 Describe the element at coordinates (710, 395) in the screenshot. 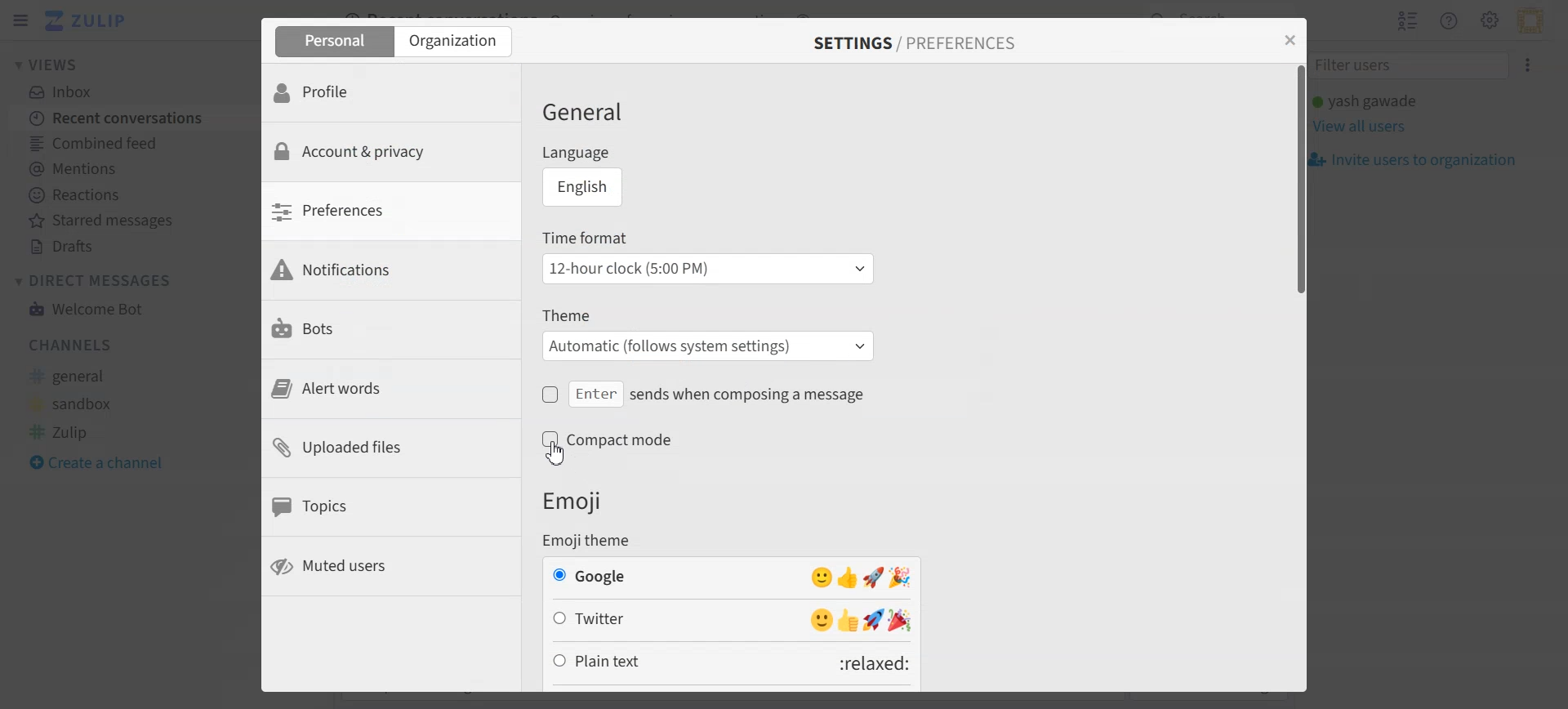

I see `Enter sends when composing a message` at that location.